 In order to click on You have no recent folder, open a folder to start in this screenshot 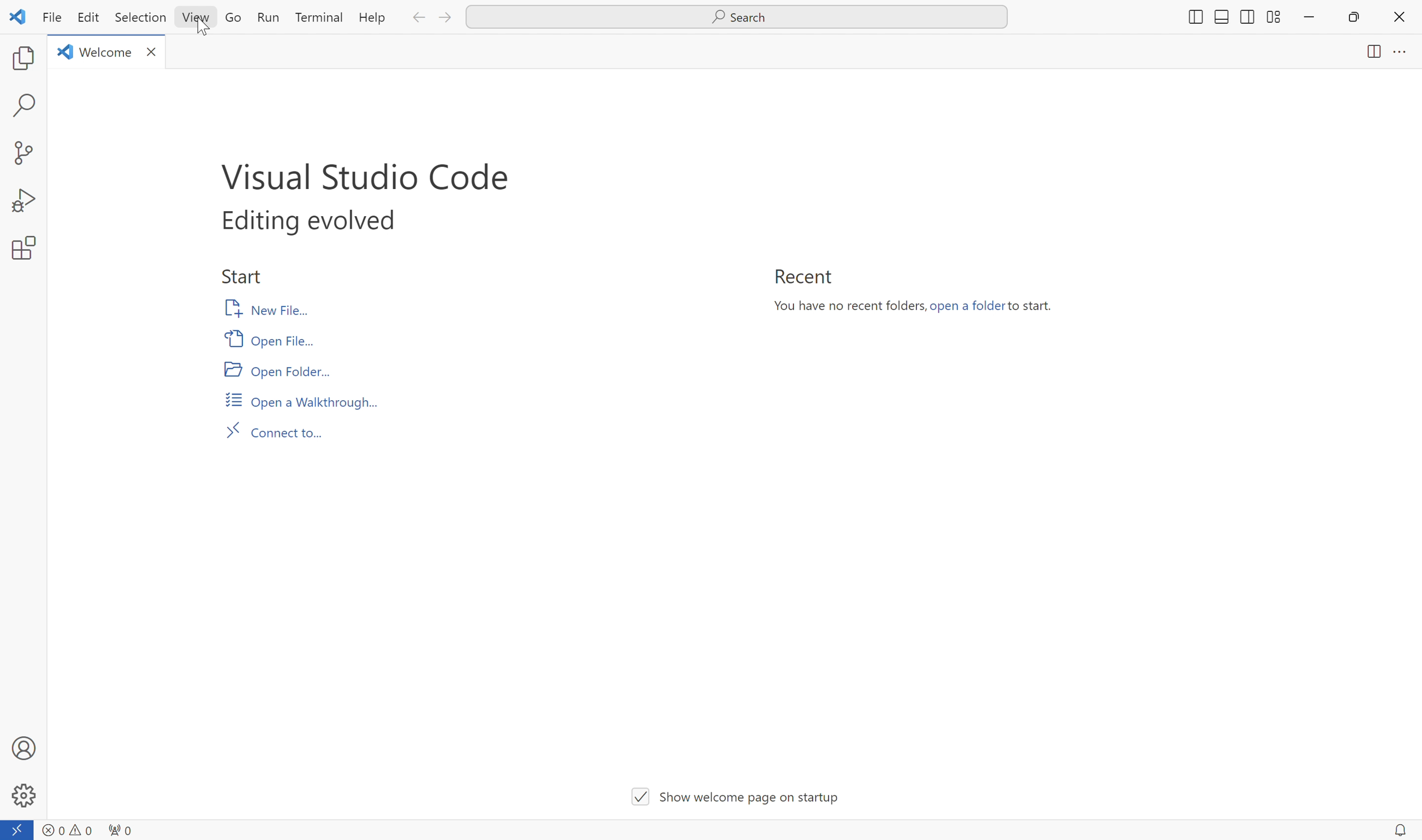, I will do `click(916, 304)`.